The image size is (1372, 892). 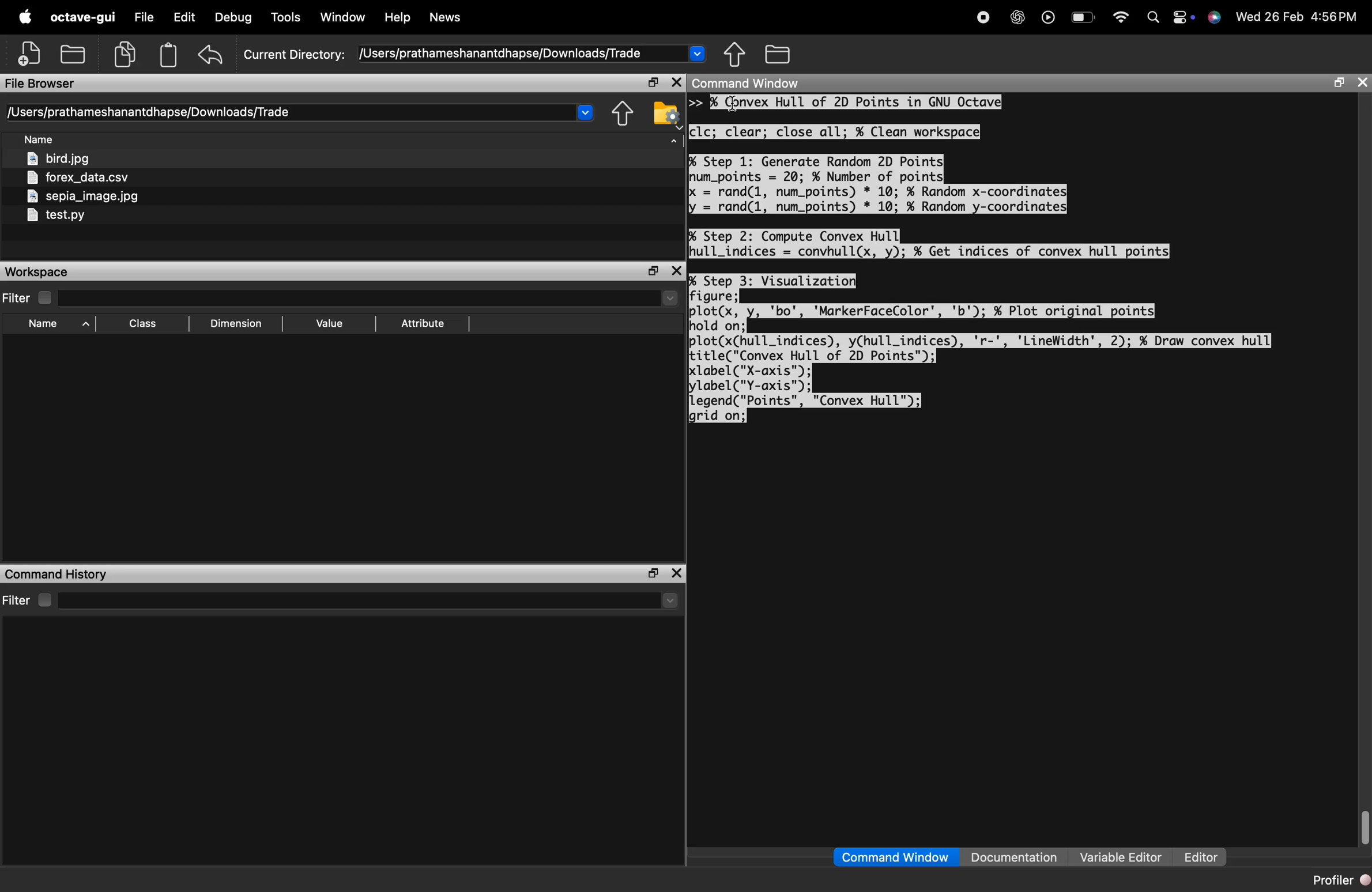 What do you see at coordinates (929, 243) in the screenshot?
I see `% Step 2: Compute Convex Hull
hull_indices = convhull(x, y); ¥ Get indices of convex hull points` at bounding box center [929, 243].